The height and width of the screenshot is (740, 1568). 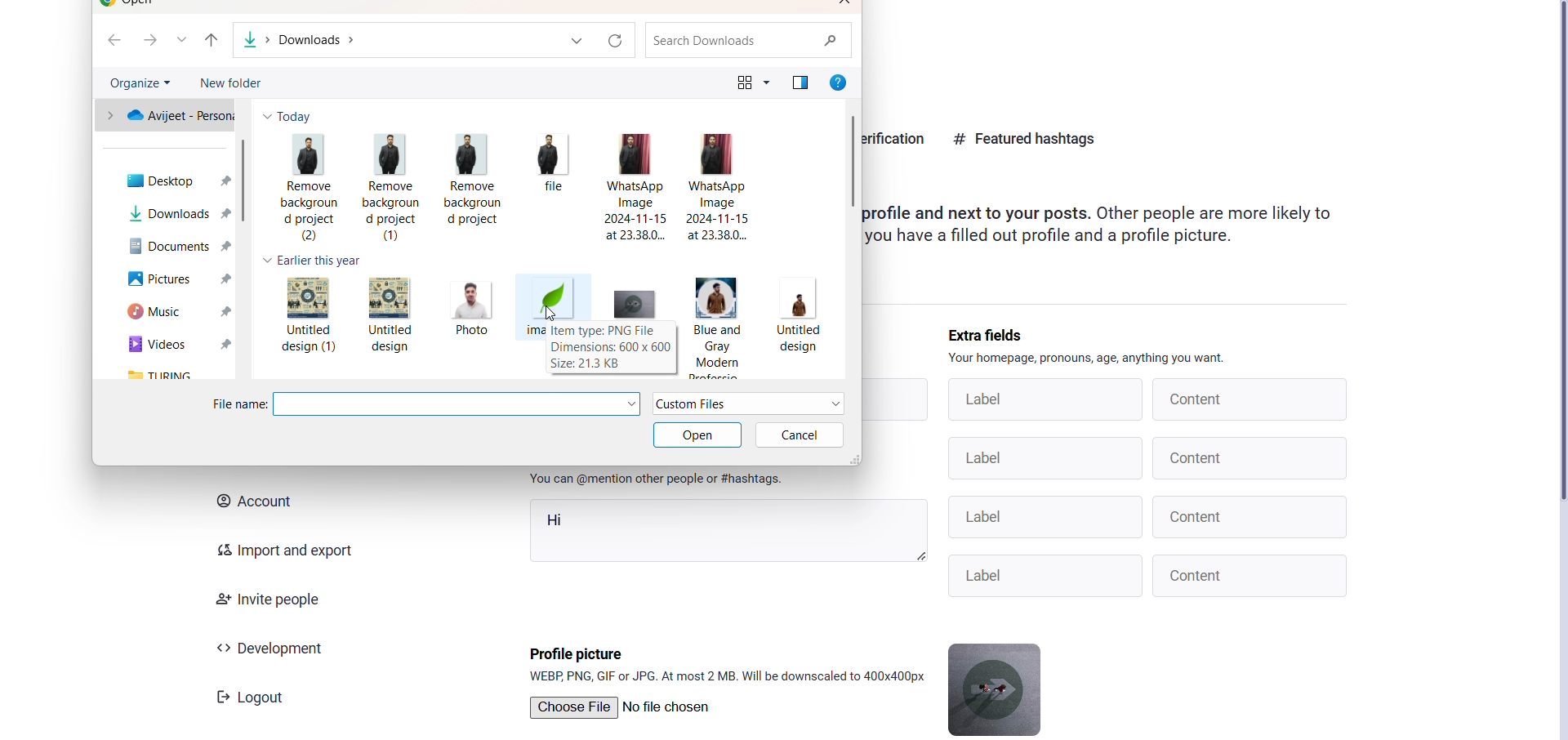 What do you see at coordinates (474, 181) in the screenshot?
I see `Remove background project` at bounding box center [474, 181].